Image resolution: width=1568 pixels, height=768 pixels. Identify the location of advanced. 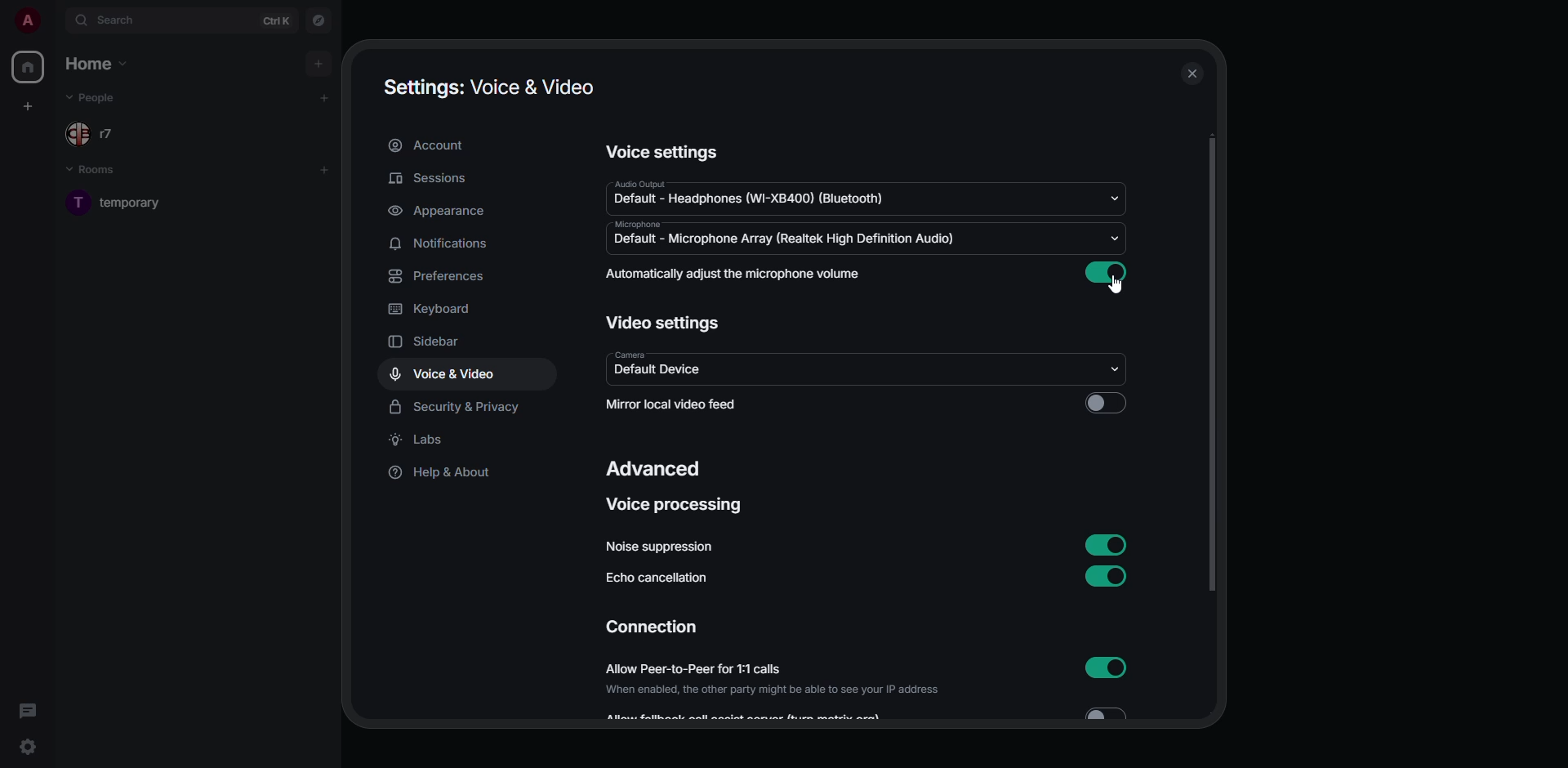
(657, 469).